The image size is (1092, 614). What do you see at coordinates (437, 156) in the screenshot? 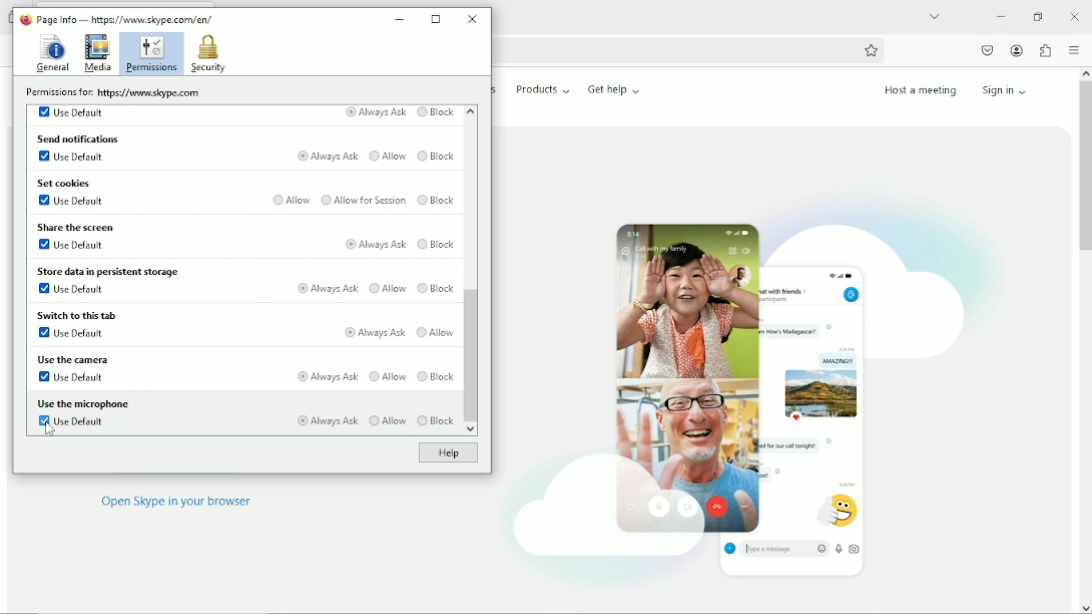
I see `Block` at bounding box center [437, 156].